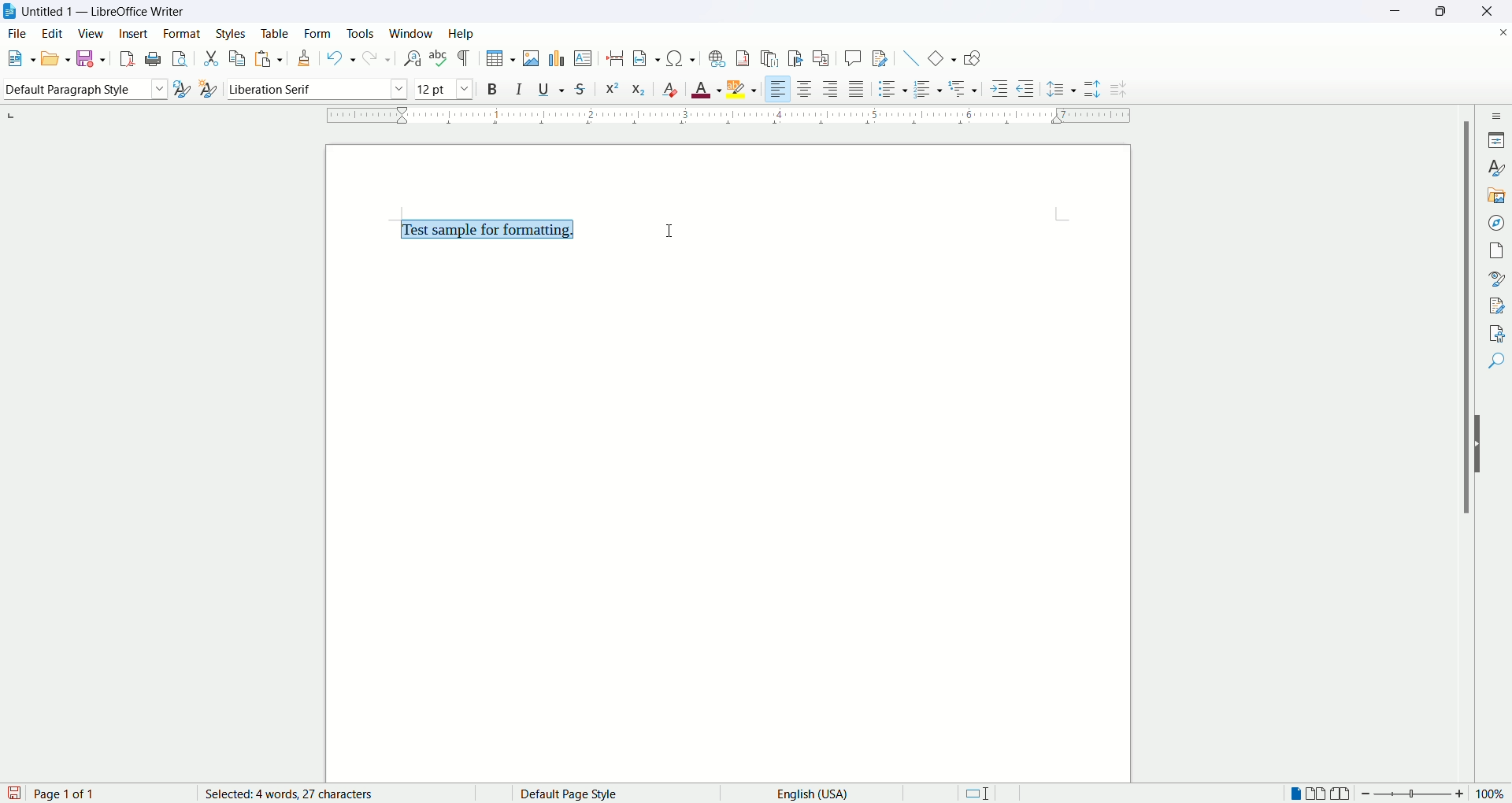 The image size is (1512, 803). Describe the element at coordinates (1469, 442) in the screenshot. I see `vertical scroll bar` at that location.